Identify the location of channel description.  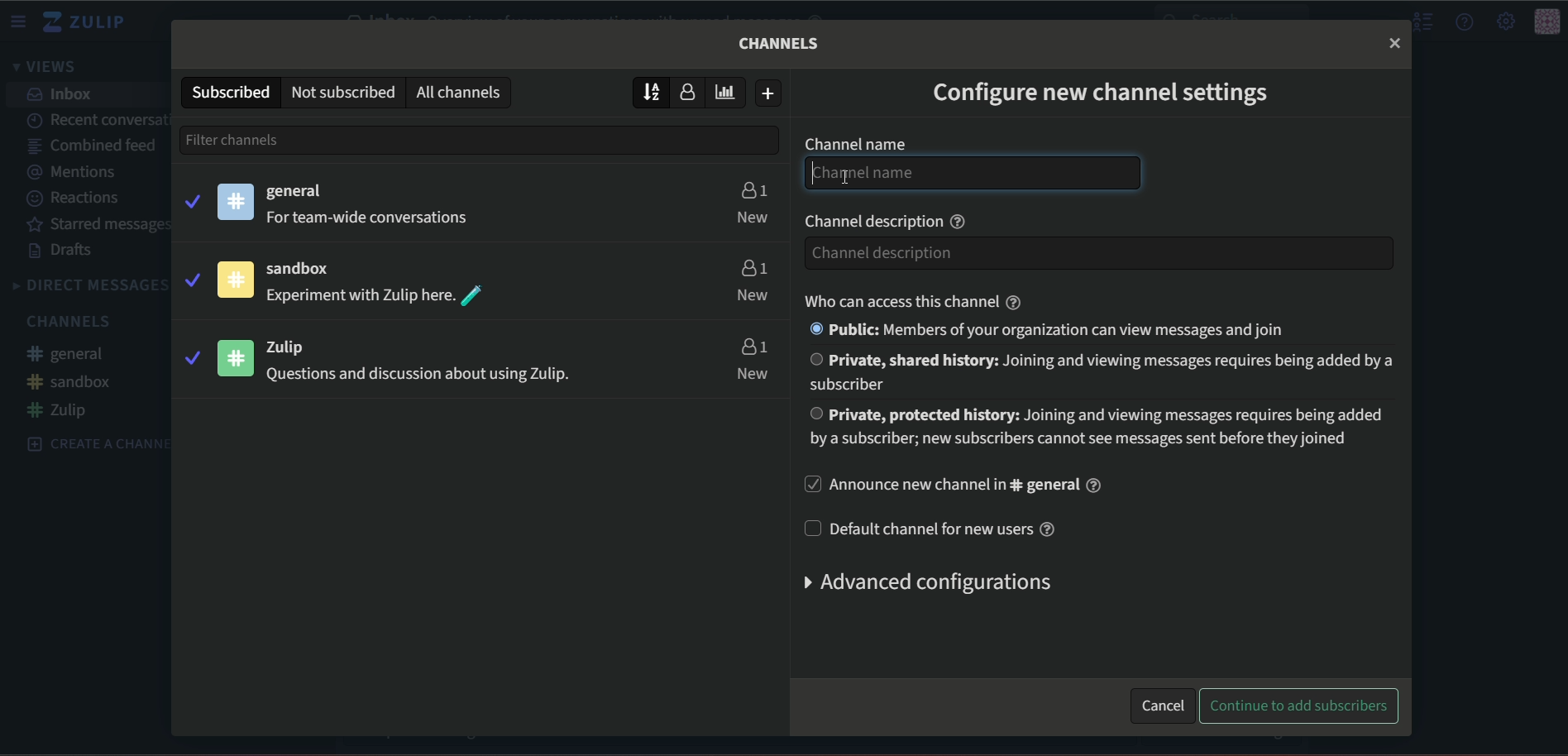
(1001, 251).